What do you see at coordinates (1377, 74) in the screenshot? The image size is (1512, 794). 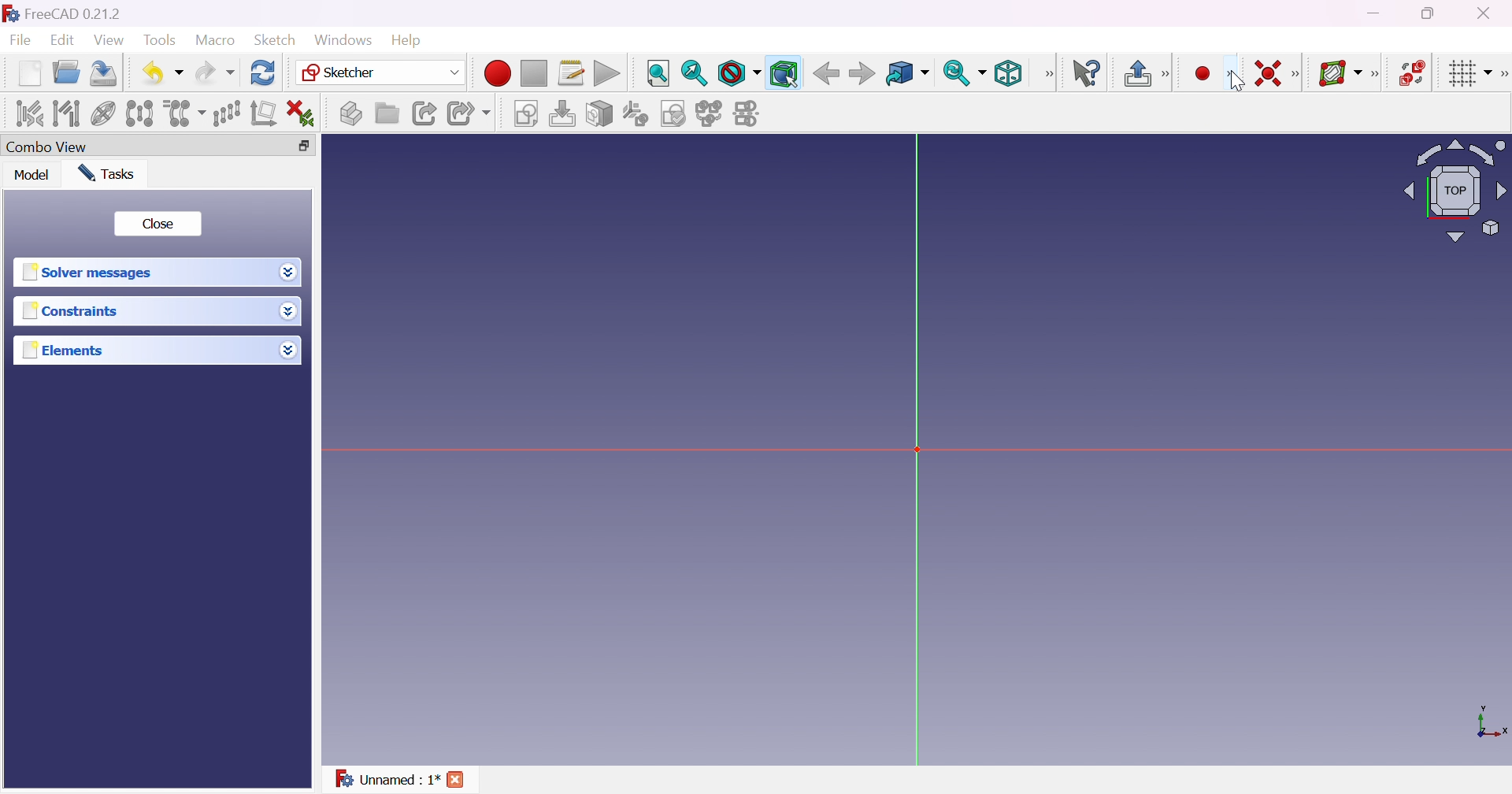 I see `[Sketcher B-spline tools]` at bounding box center [1377, 74].